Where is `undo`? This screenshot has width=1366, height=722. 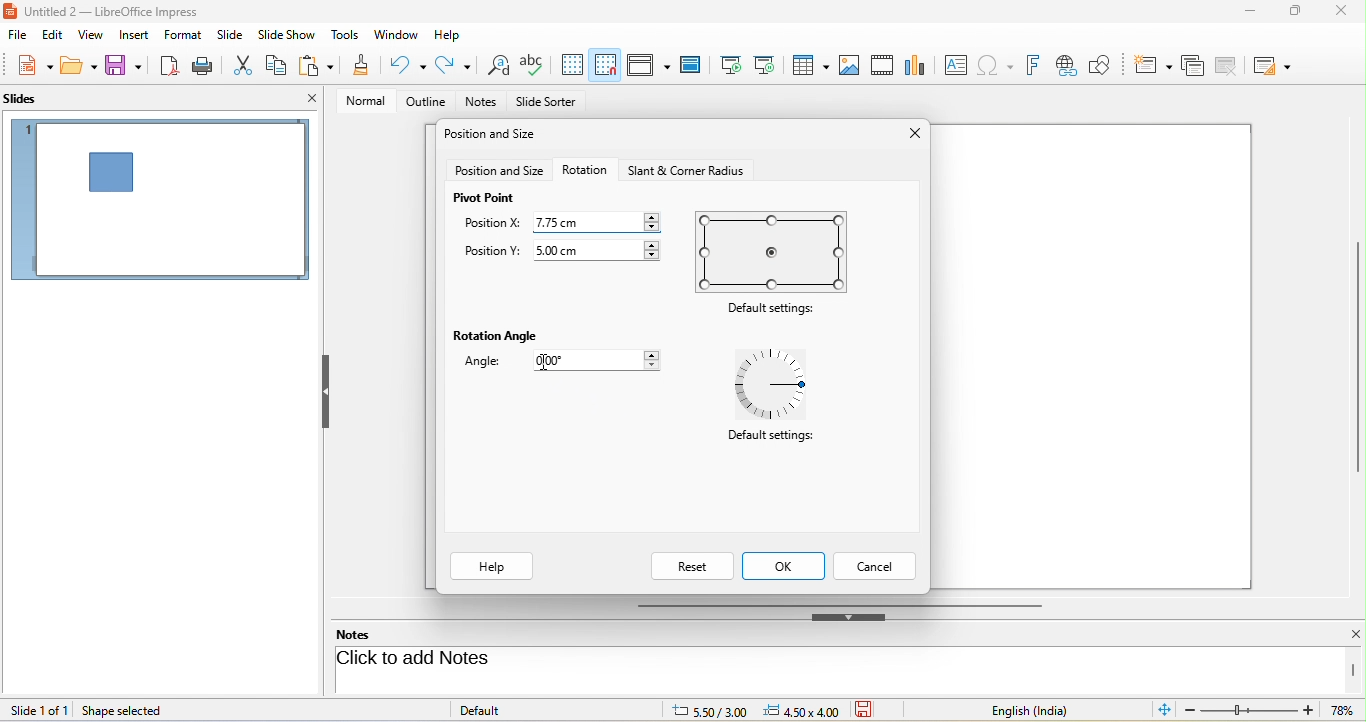 undo is located at coordinates (410, 65).